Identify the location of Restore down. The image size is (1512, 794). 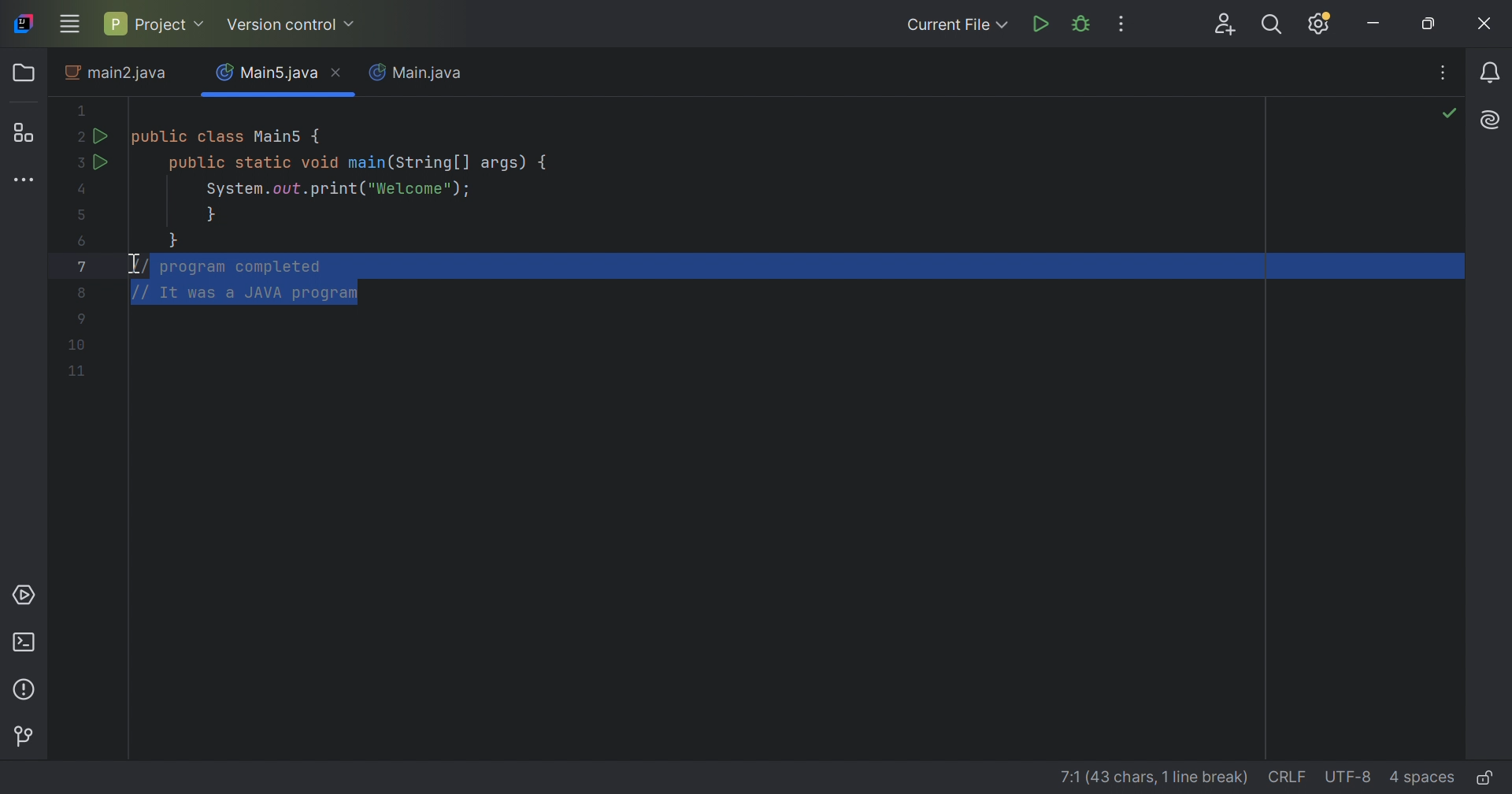
(1432, 25).